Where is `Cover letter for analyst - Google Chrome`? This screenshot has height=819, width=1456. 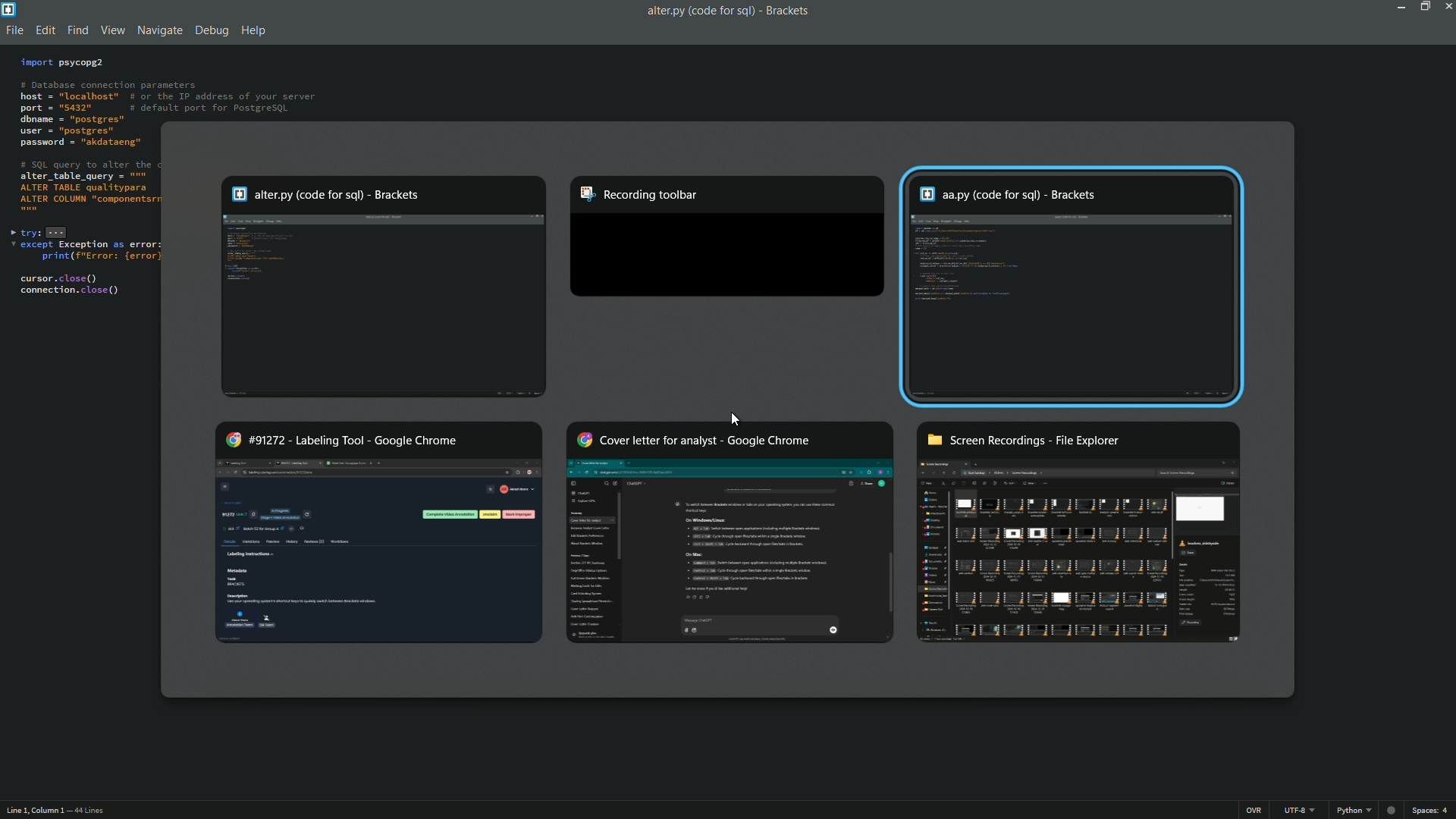 Cover letter for analyst - Google Chrome is located at coordinates (729, 531).